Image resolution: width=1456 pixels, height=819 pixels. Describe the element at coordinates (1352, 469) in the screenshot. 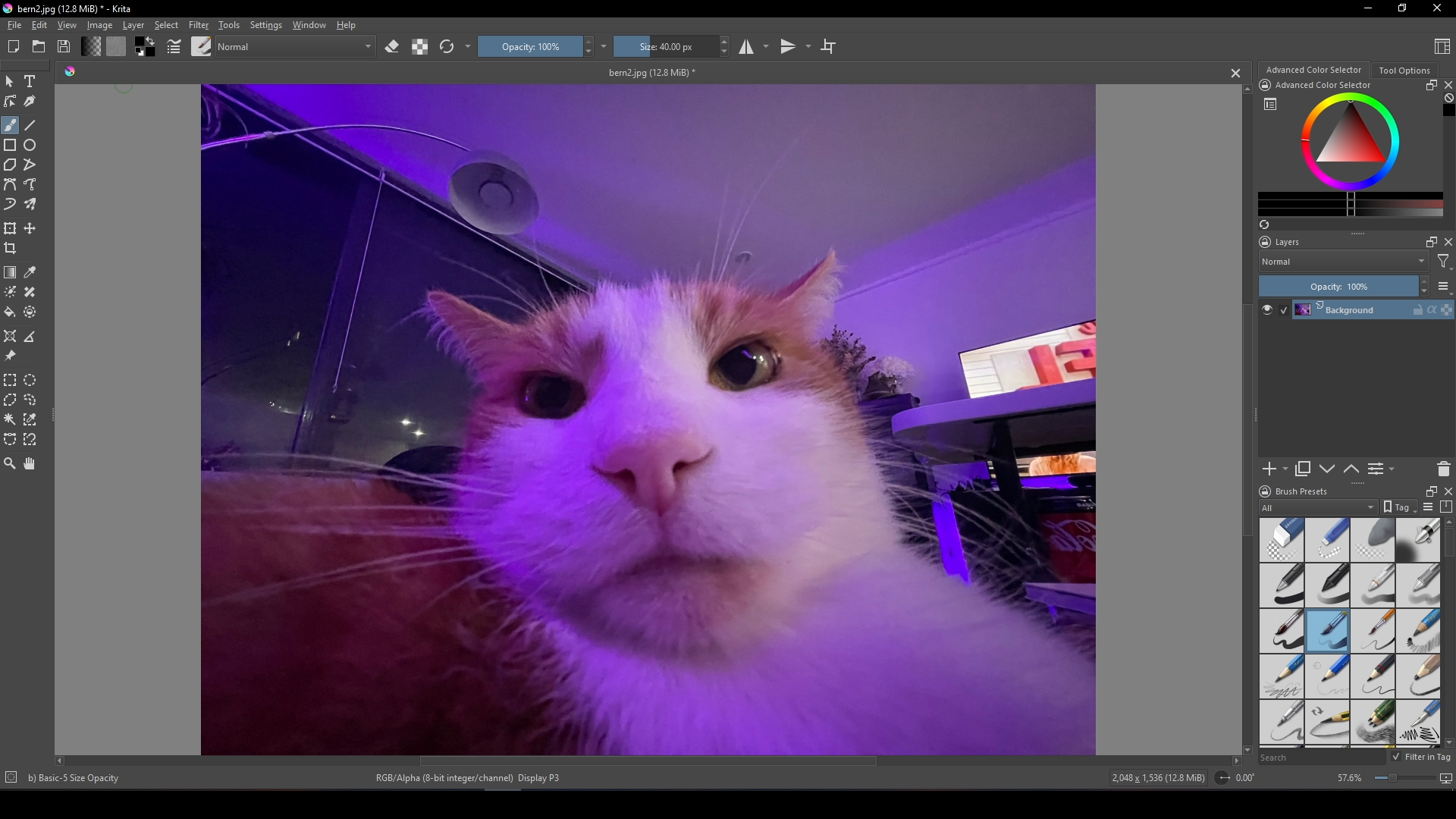

I see `Move layer down` at that location.